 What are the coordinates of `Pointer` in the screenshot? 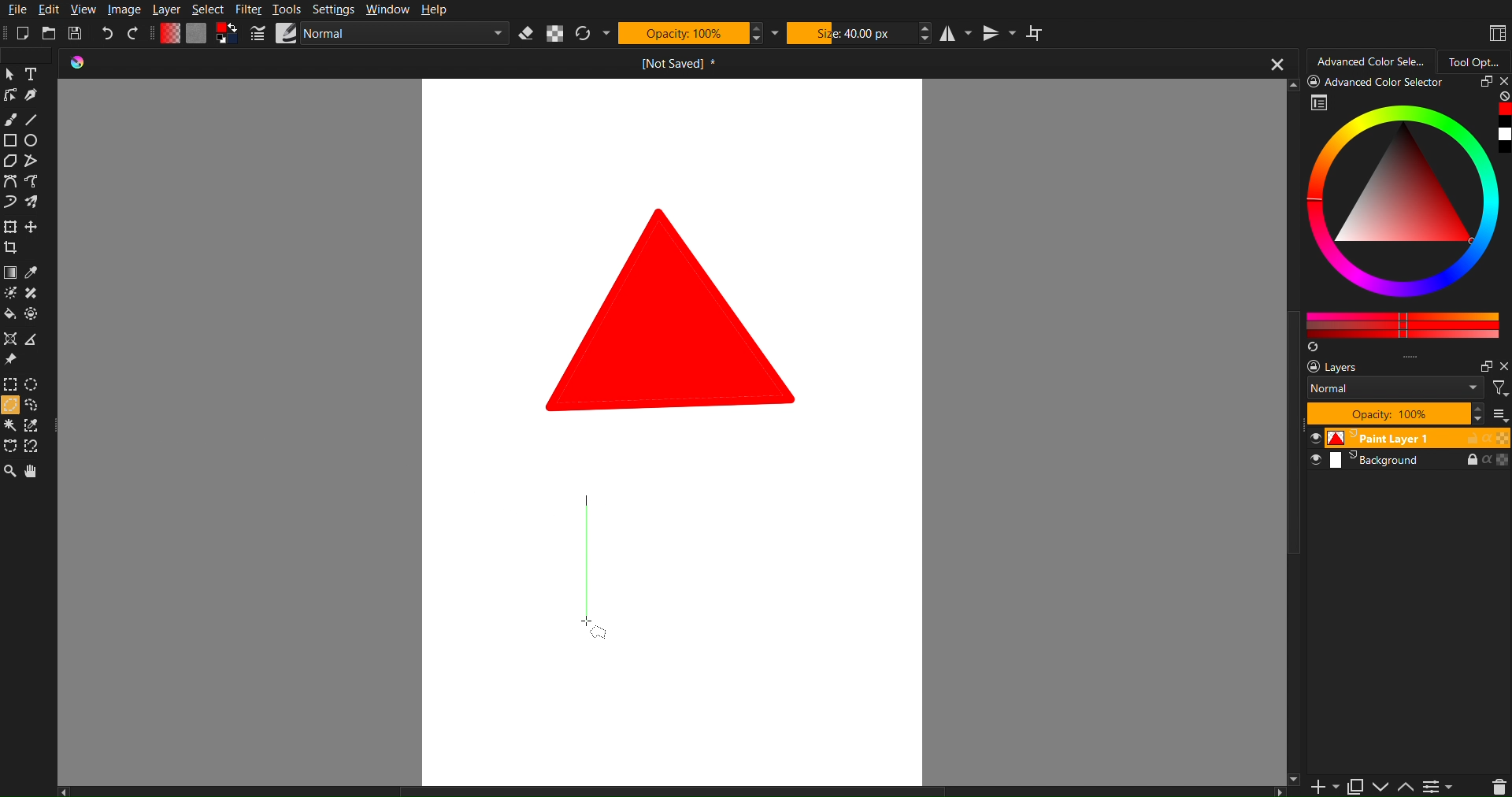 It's located at (9, 74).